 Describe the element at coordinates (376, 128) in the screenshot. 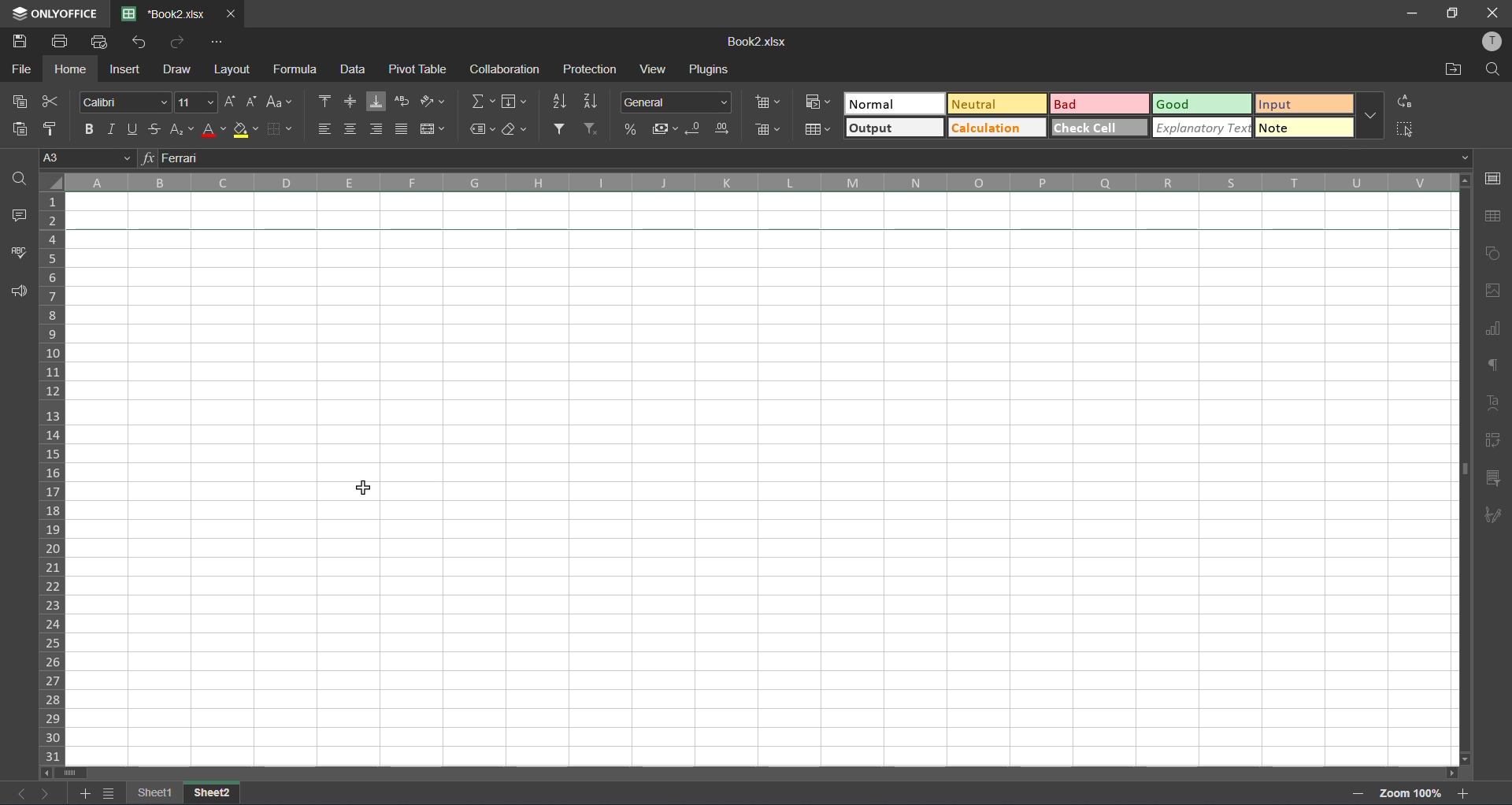

I see `align right` at that location.